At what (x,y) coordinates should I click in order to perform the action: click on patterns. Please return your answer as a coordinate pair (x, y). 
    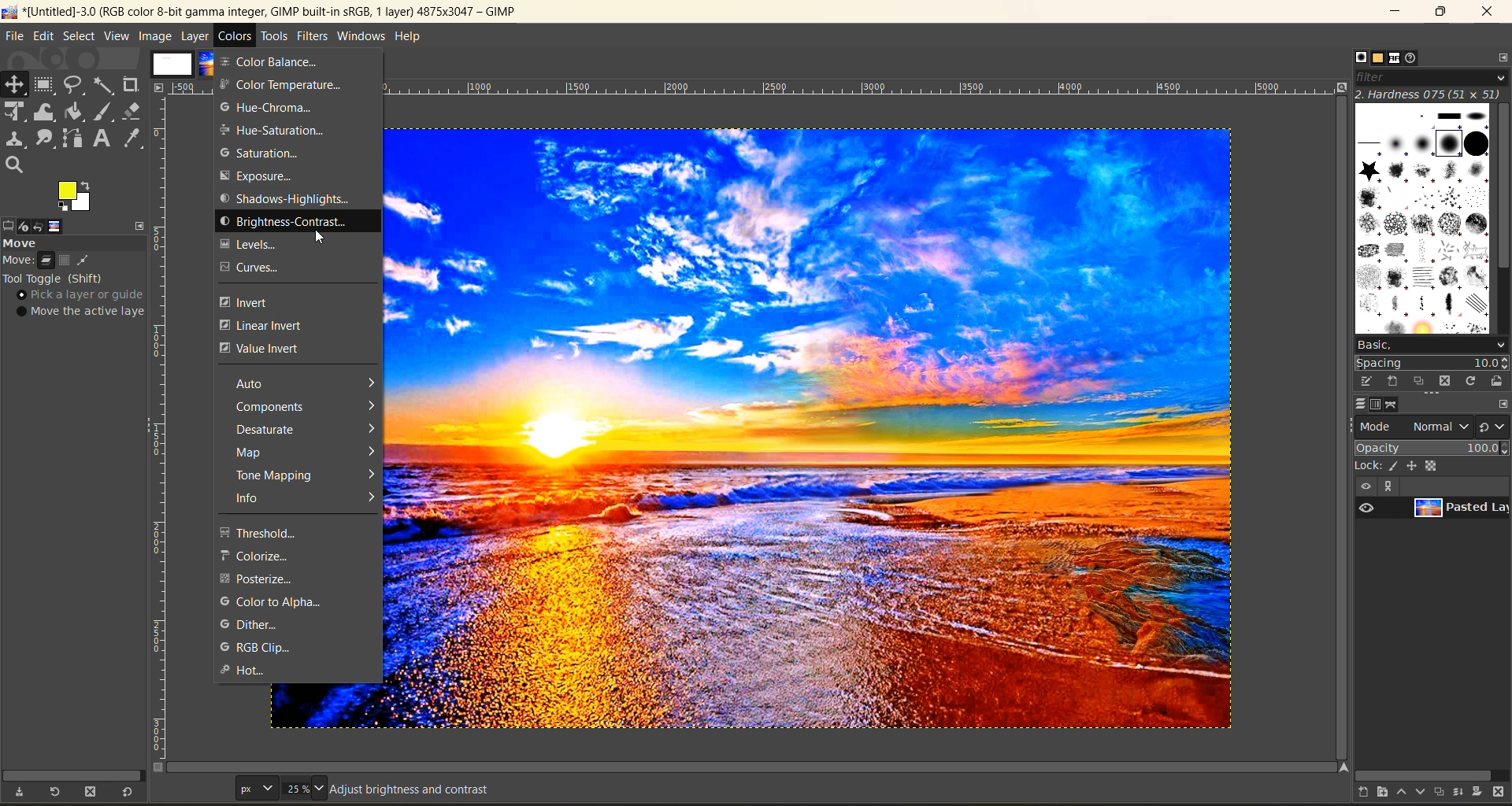
    Looking at the image, I should click on (1380, 58).